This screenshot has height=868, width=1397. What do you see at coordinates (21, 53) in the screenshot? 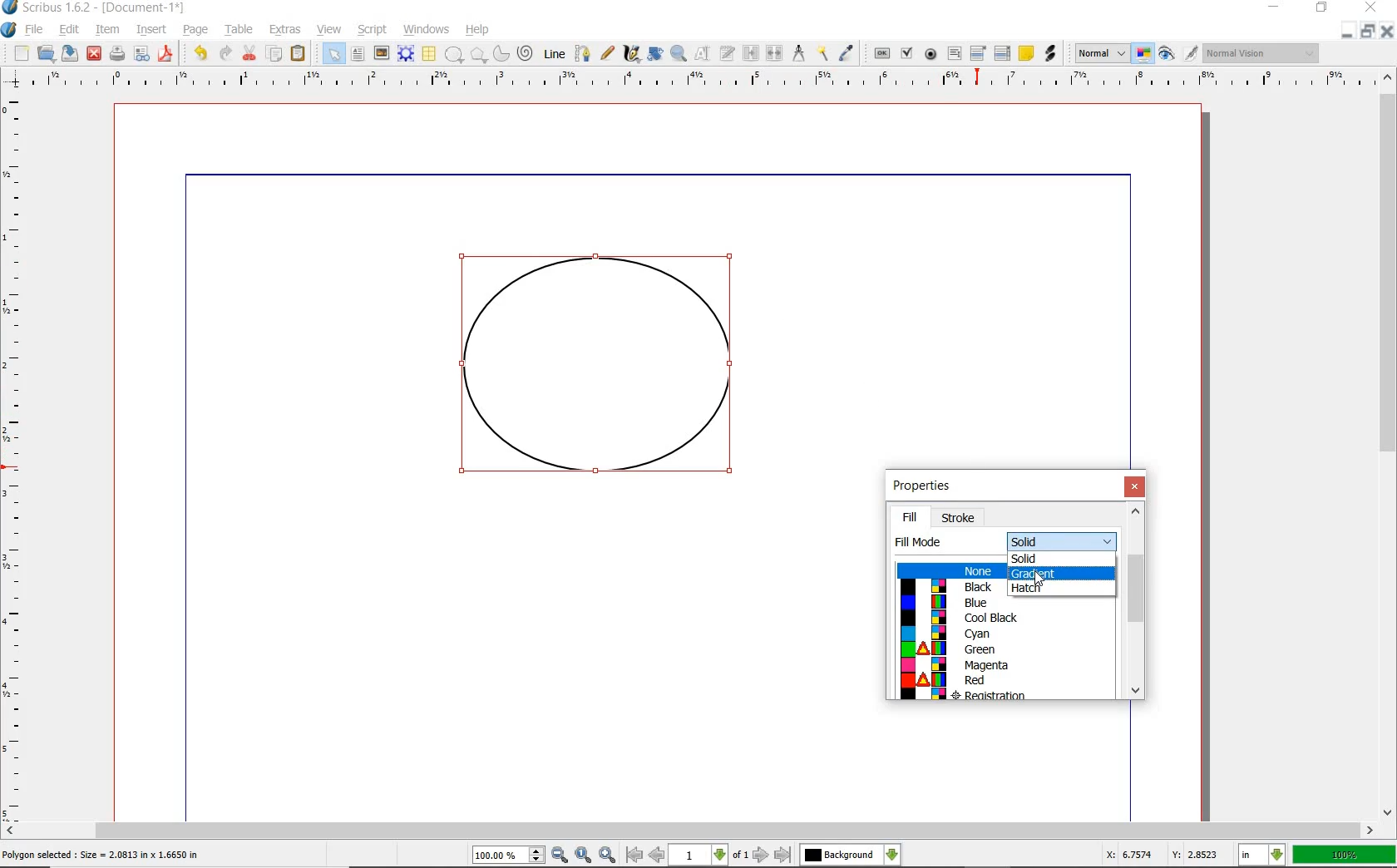
I see `NEW` at bounding box center [21, 53].